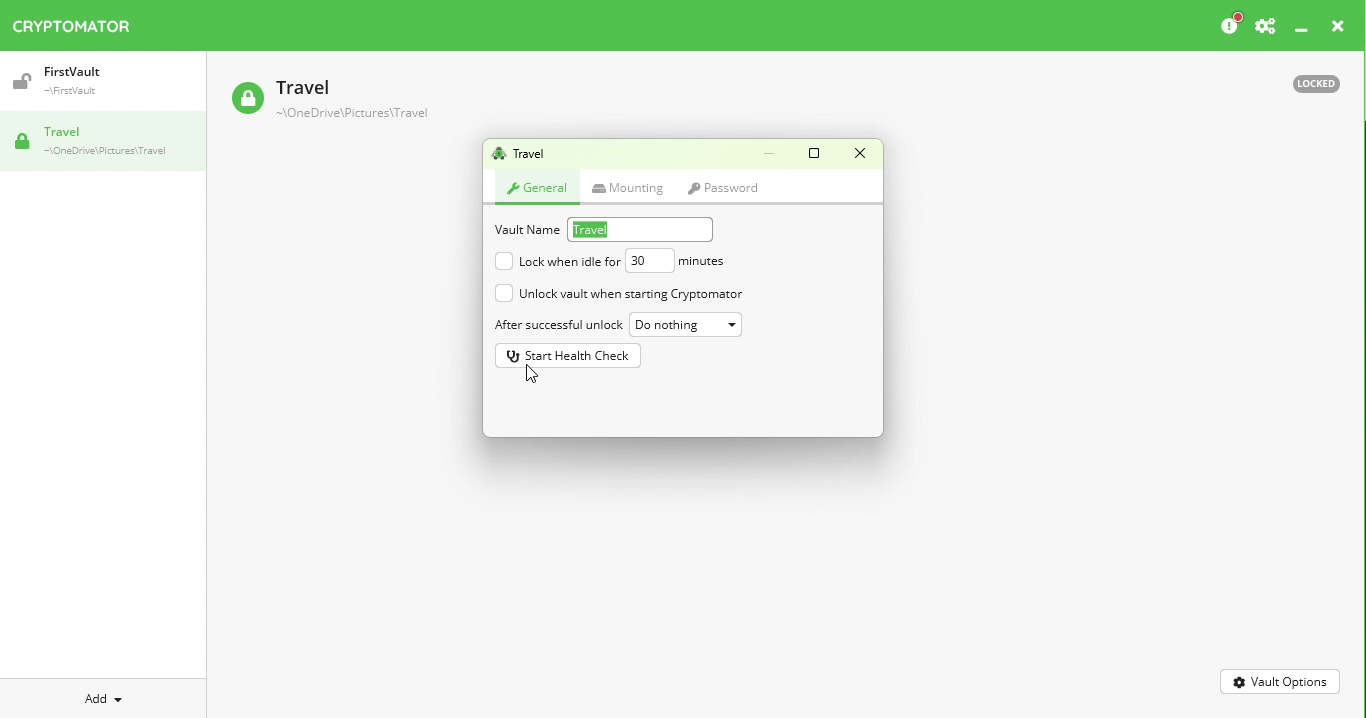 The image size is (1366, 718). What do you see at coordinates (1311, 85) in the screenshot?
I see `Locked` at bounding box center [1311, 85].